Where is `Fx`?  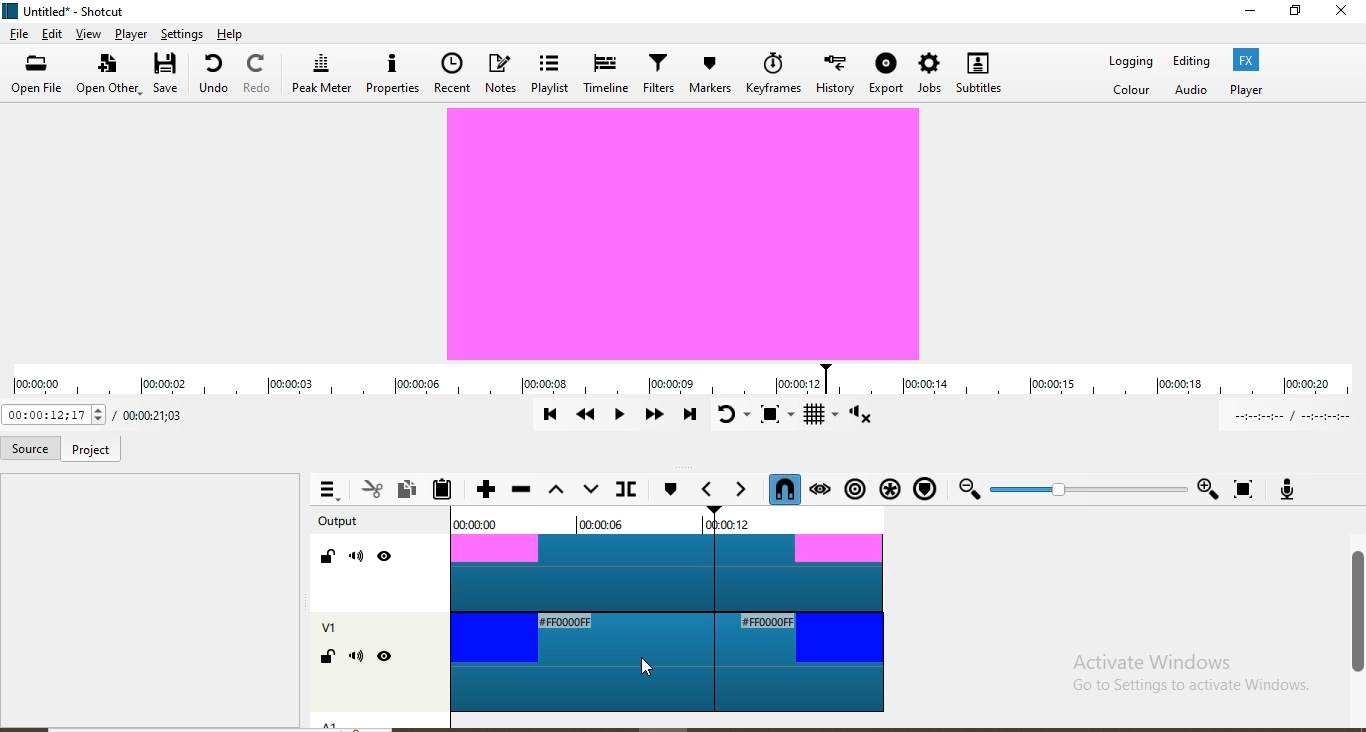
Fx is located at coordinates (1247, 60).